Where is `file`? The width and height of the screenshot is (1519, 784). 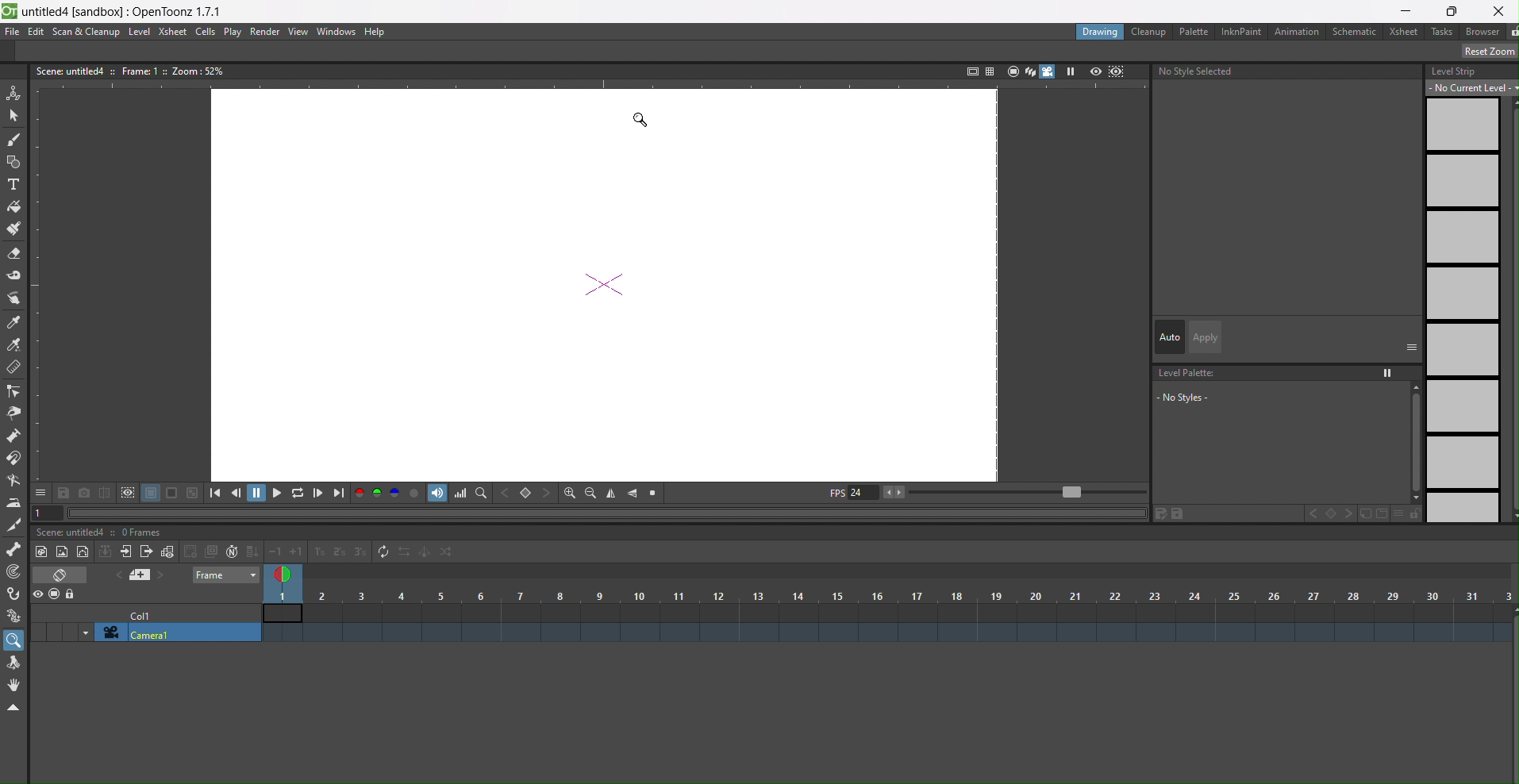 file is located at coordinates (13, 31).